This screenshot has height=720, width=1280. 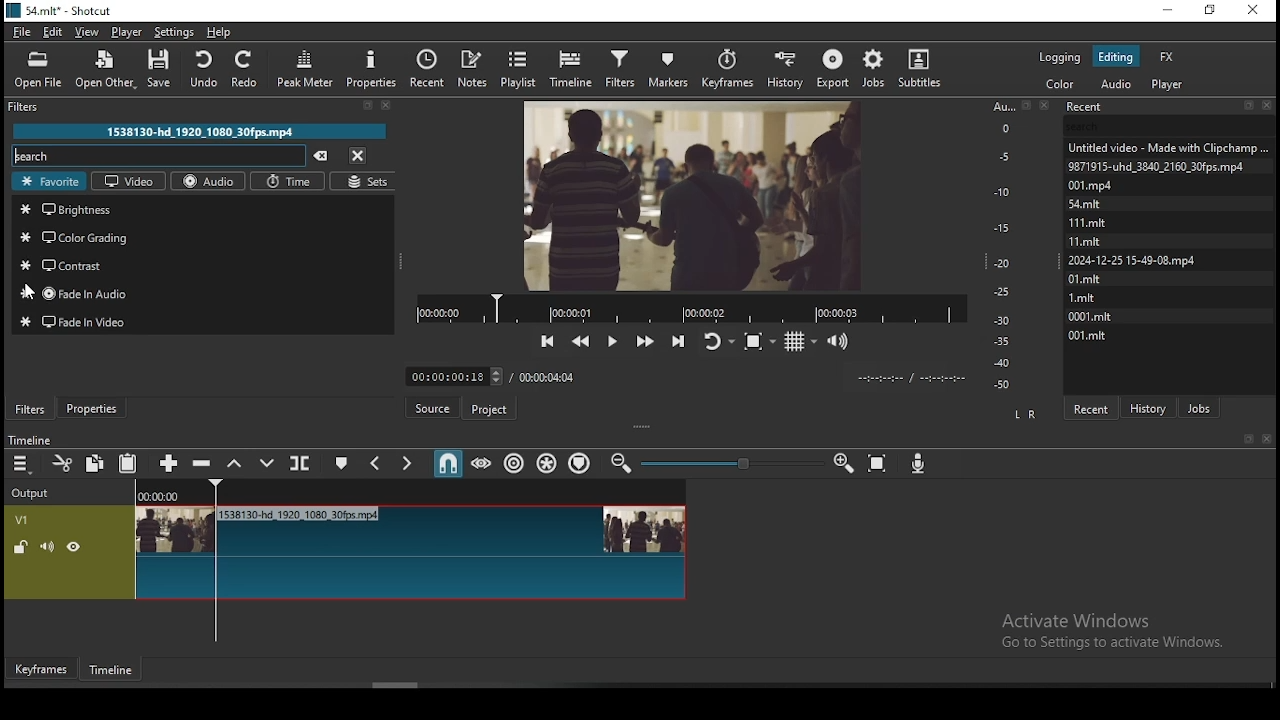 What do you see at coordinates (205, 209) in the screenshot?
I see `brightness` at bounding box center [205, 209].